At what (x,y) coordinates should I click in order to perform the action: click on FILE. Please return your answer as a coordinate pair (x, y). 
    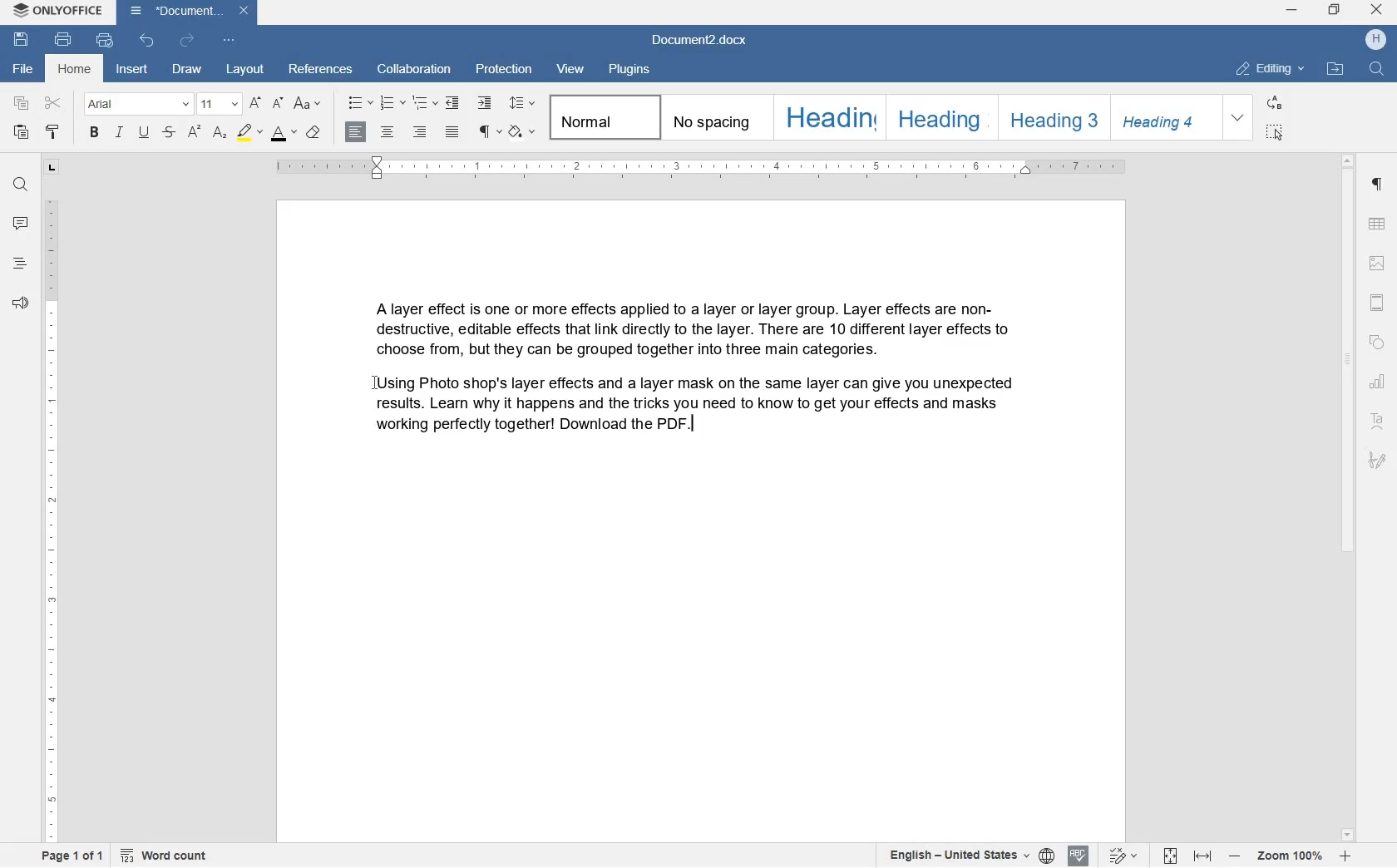
    Looking at the image, I should click on (21, 67).